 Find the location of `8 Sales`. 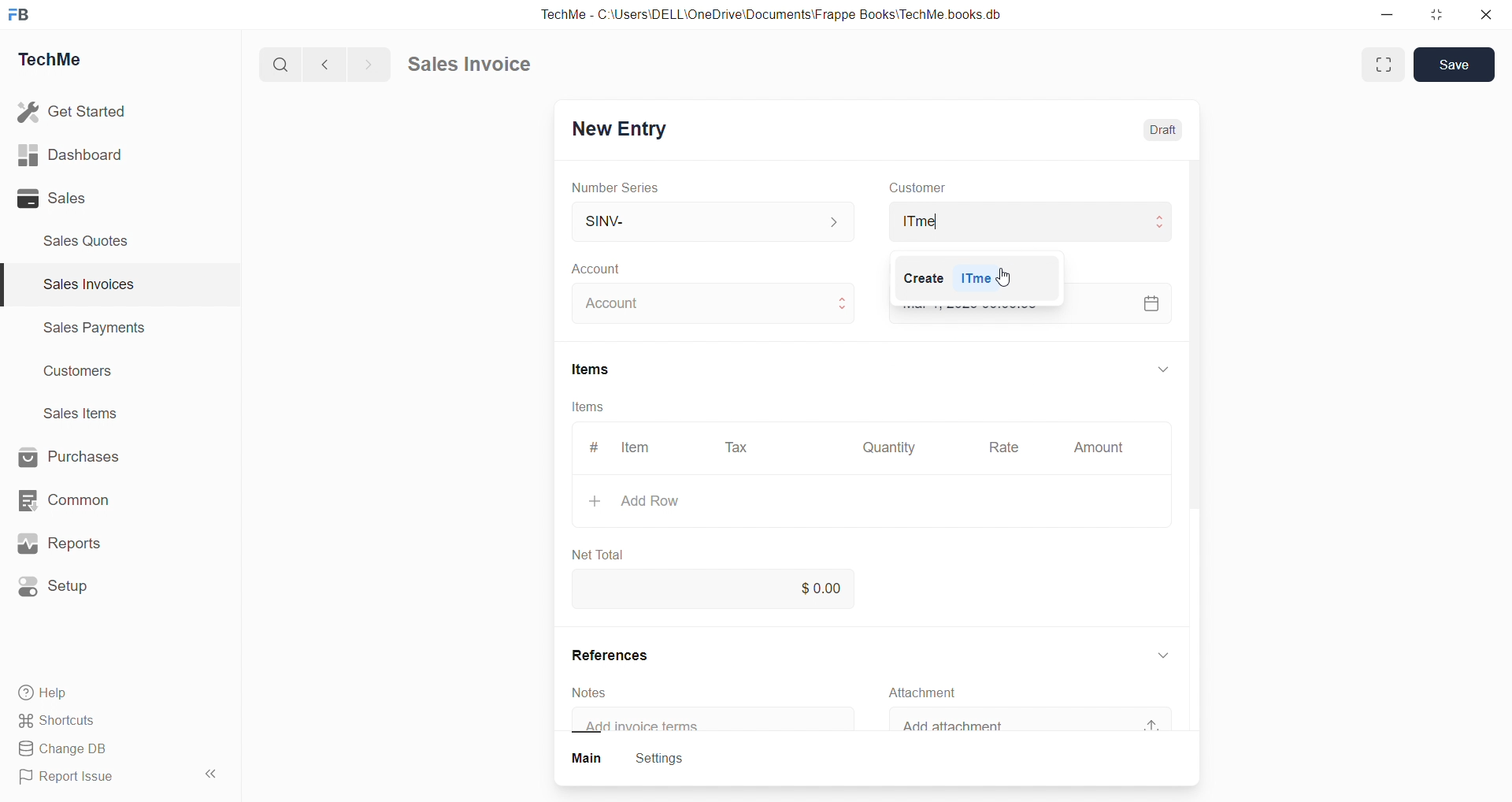

8 Sales is located at coordinates (55, 198).